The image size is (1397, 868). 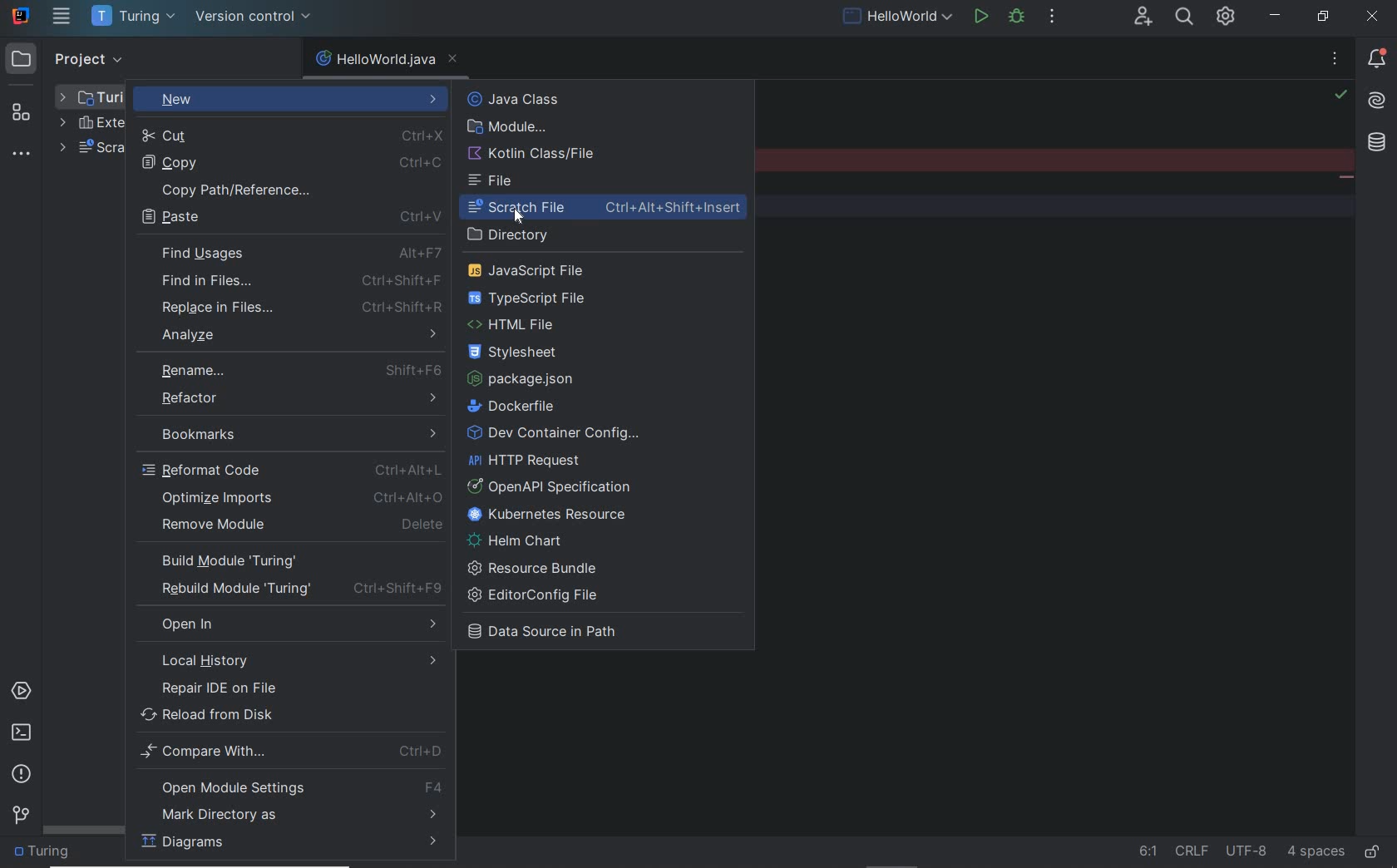 What do you see at coordinates (255, 18) in the screenshot?
I see `version control` at bounding box center [255, 18].